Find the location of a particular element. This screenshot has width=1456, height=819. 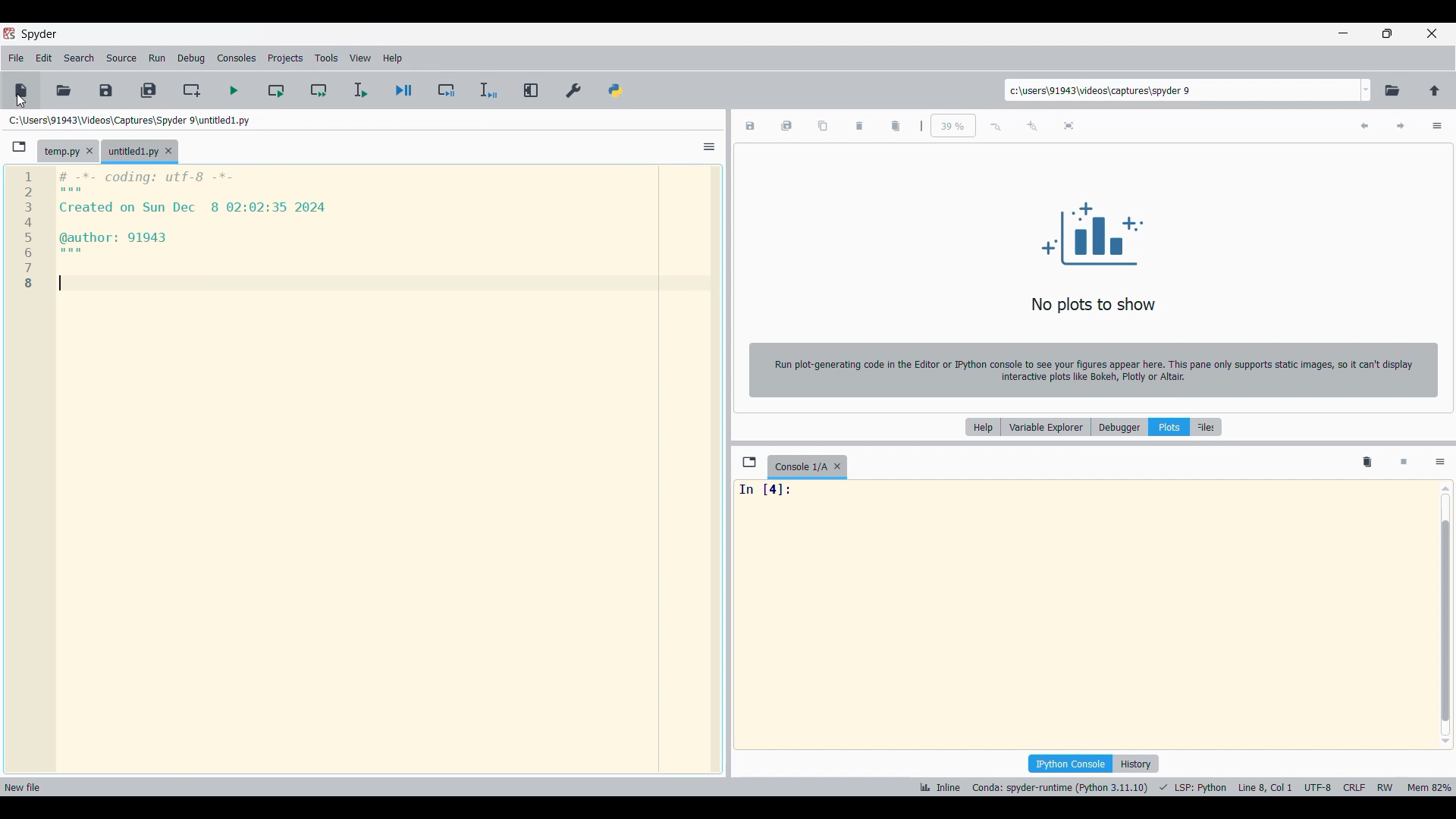

Show in smaller tab is located at coordinates (1388, 34).